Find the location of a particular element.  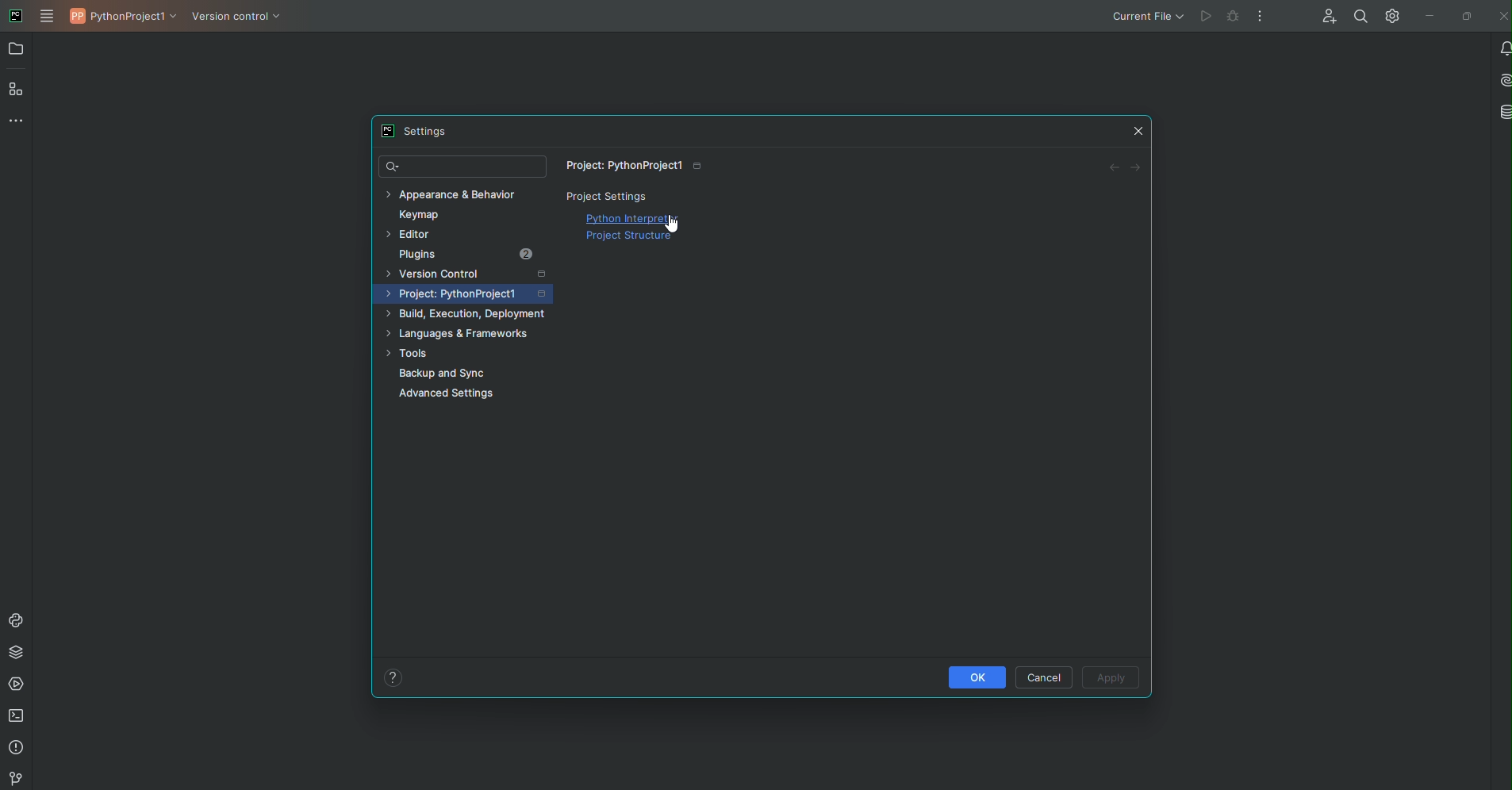

AI is located at coordinates (1502, 80).